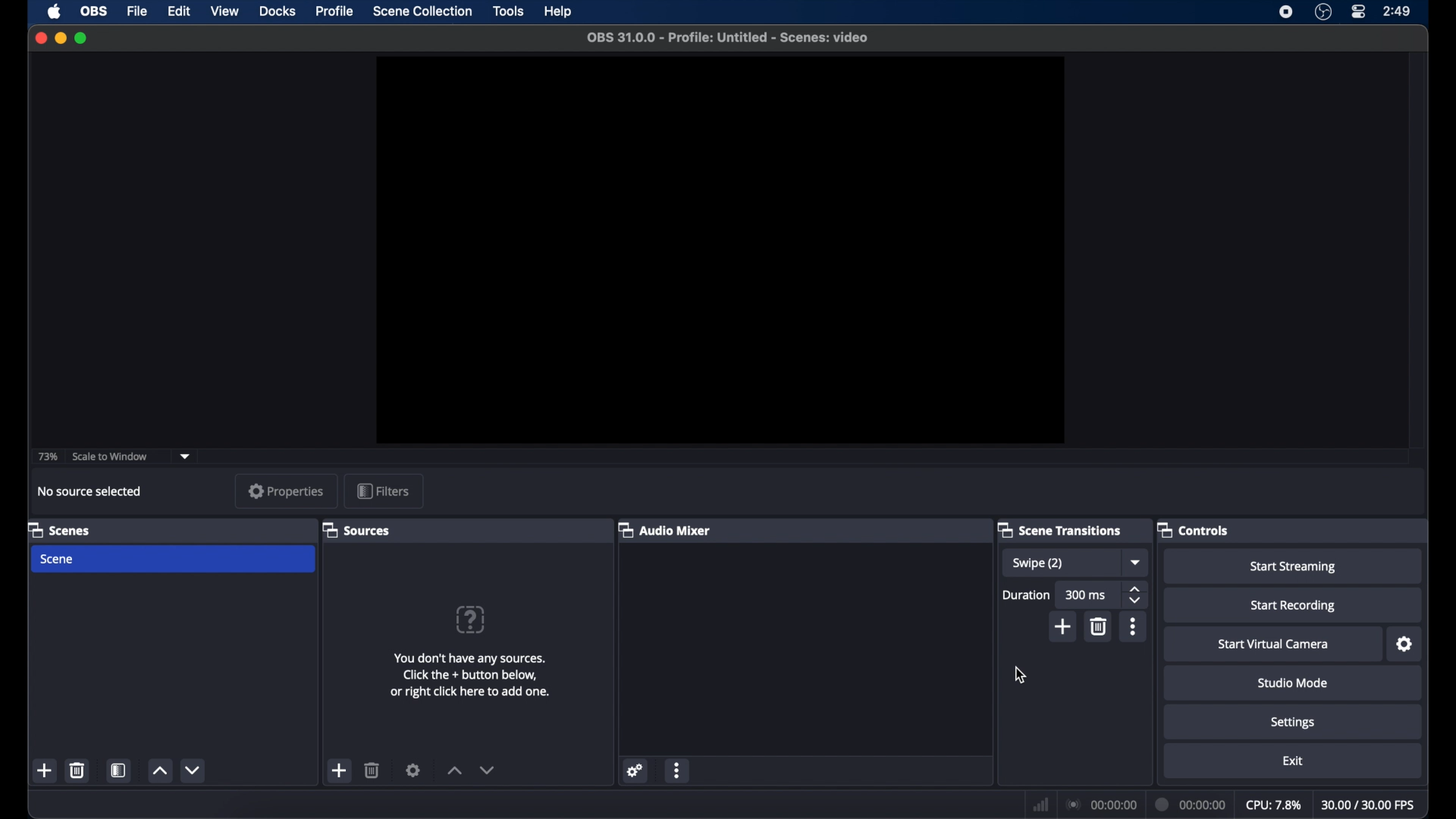 Image resolution: width=1456 pixels, height=819 pixels. I want to click on start virtual camera, so click(1273, 645).